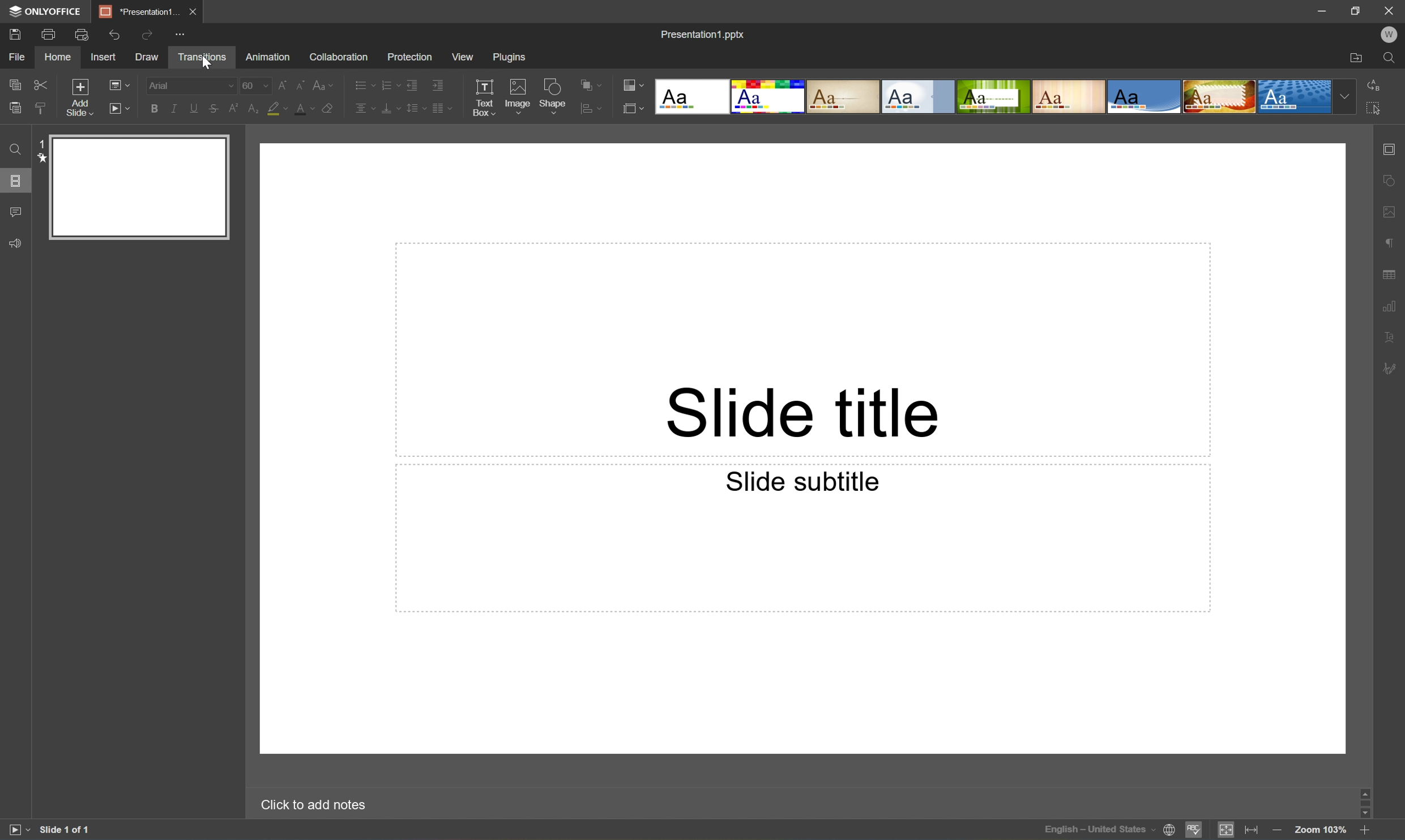 The height and width of the screenshot is (840, 1405). I want to click on Signature settings, so click(1393, 368).